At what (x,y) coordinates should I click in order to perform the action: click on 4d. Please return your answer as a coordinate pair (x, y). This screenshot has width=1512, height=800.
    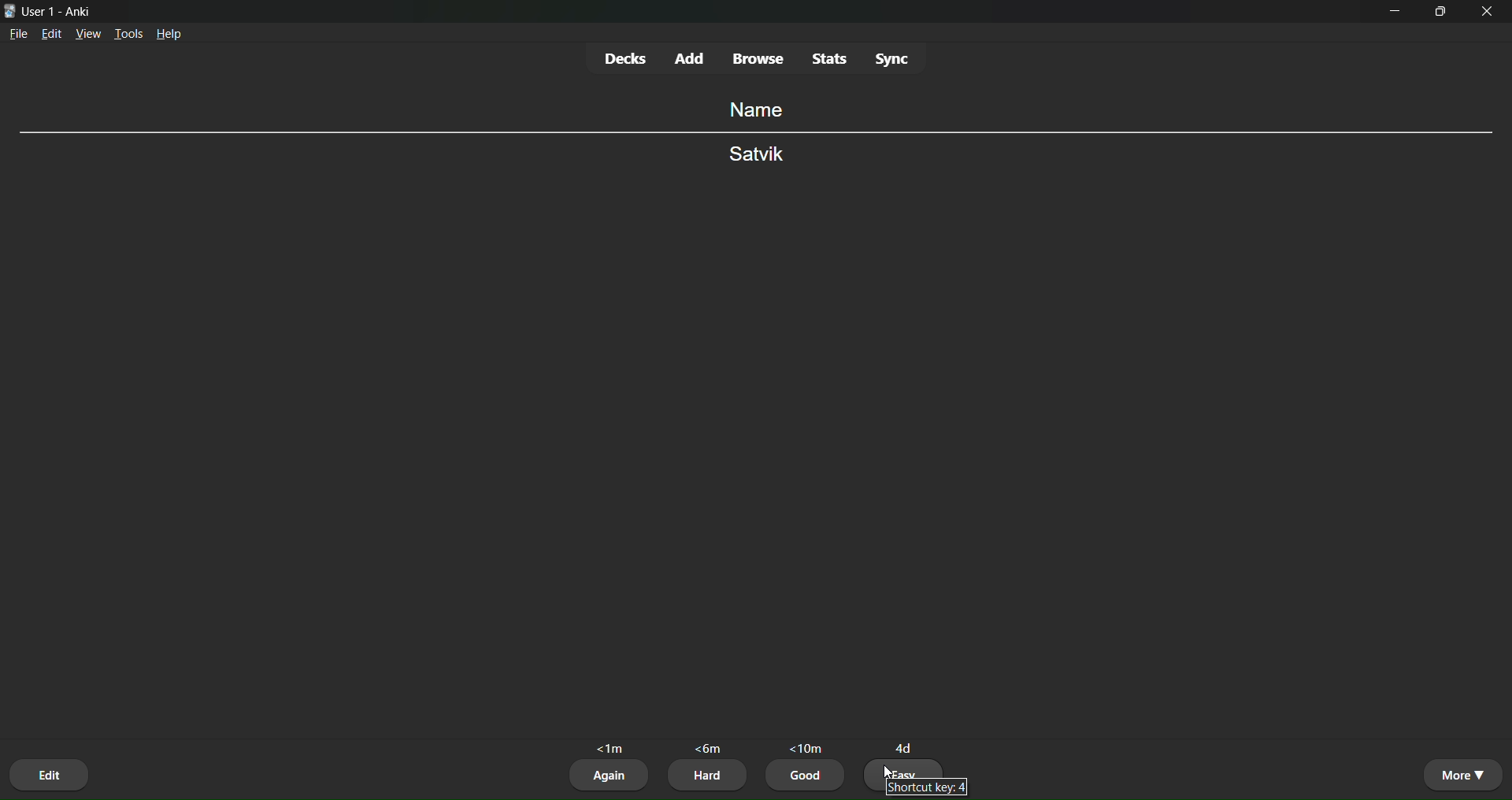
    Looking at the image, I should click on (906, 743).